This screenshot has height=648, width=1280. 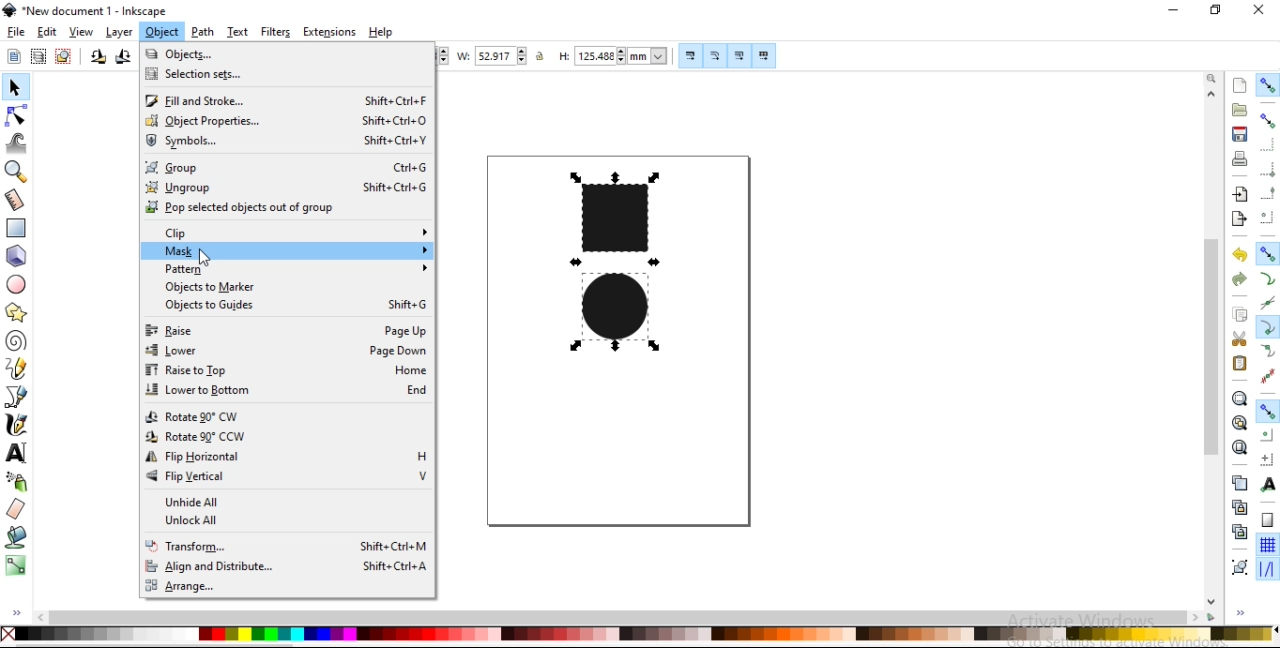 I want to click on measurement tool , so click(x=17, y=199).